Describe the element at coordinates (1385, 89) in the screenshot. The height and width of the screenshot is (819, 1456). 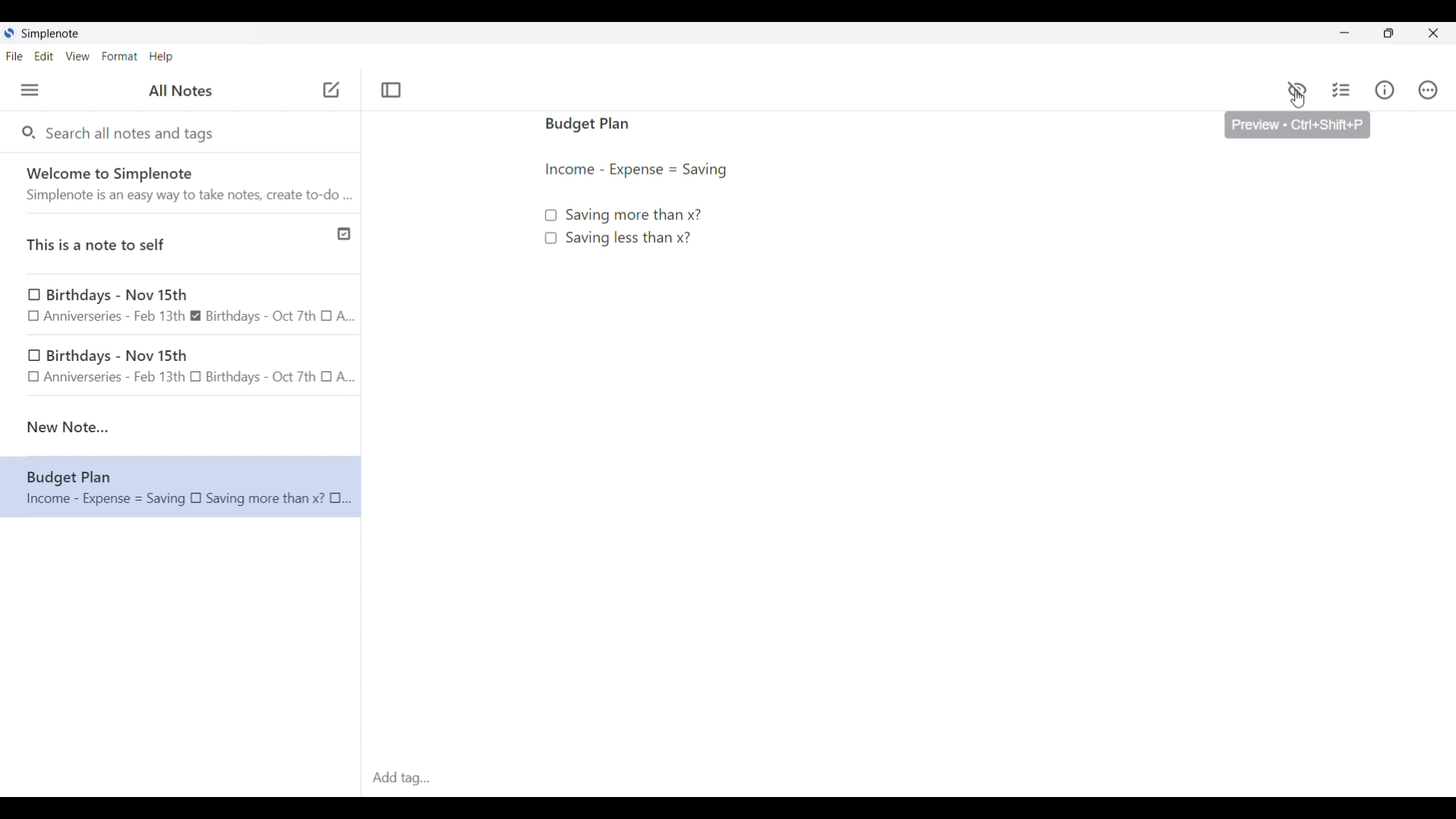
I see `Info` at that location.